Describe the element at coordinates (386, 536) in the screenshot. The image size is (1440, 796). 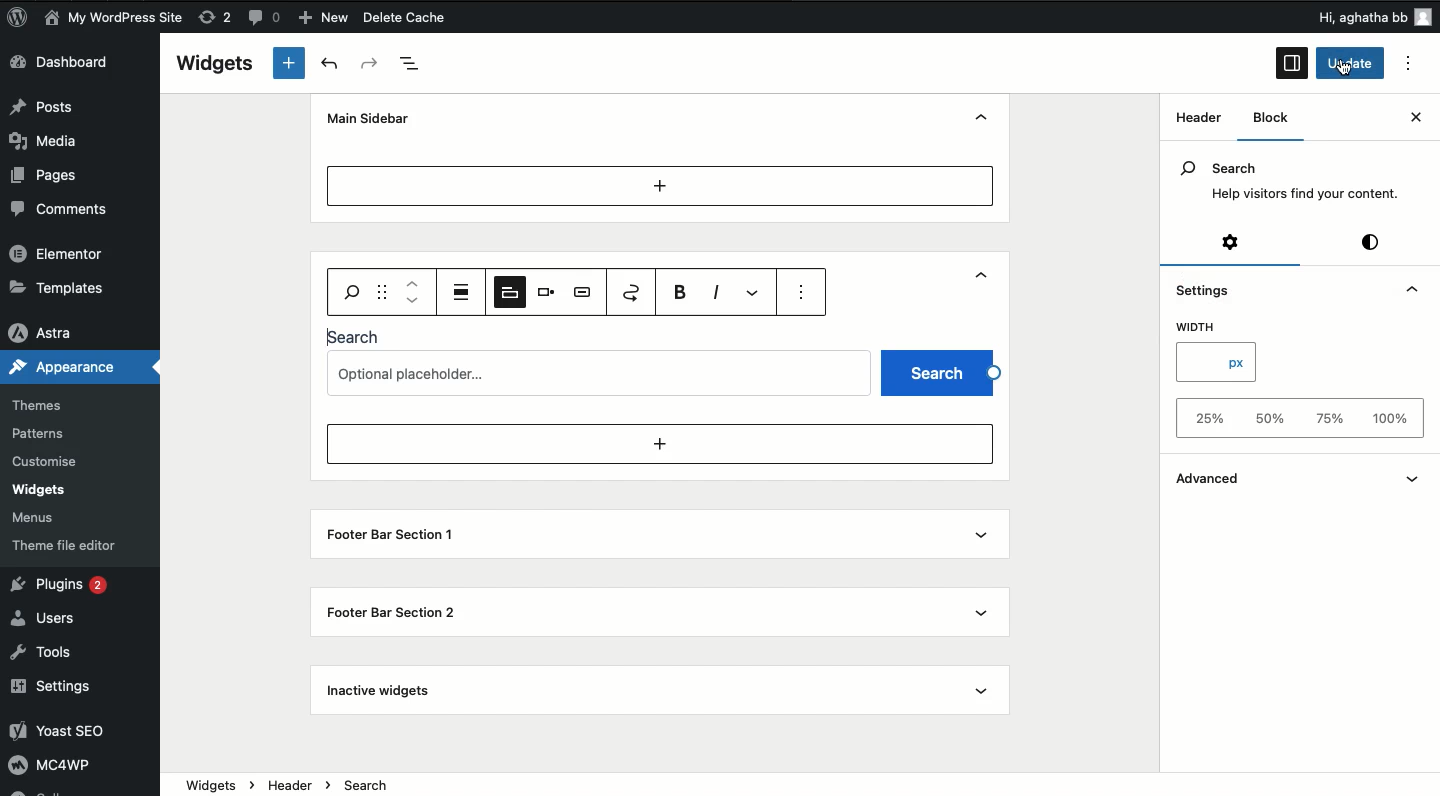
I see `Footer bar section 1` at that location.